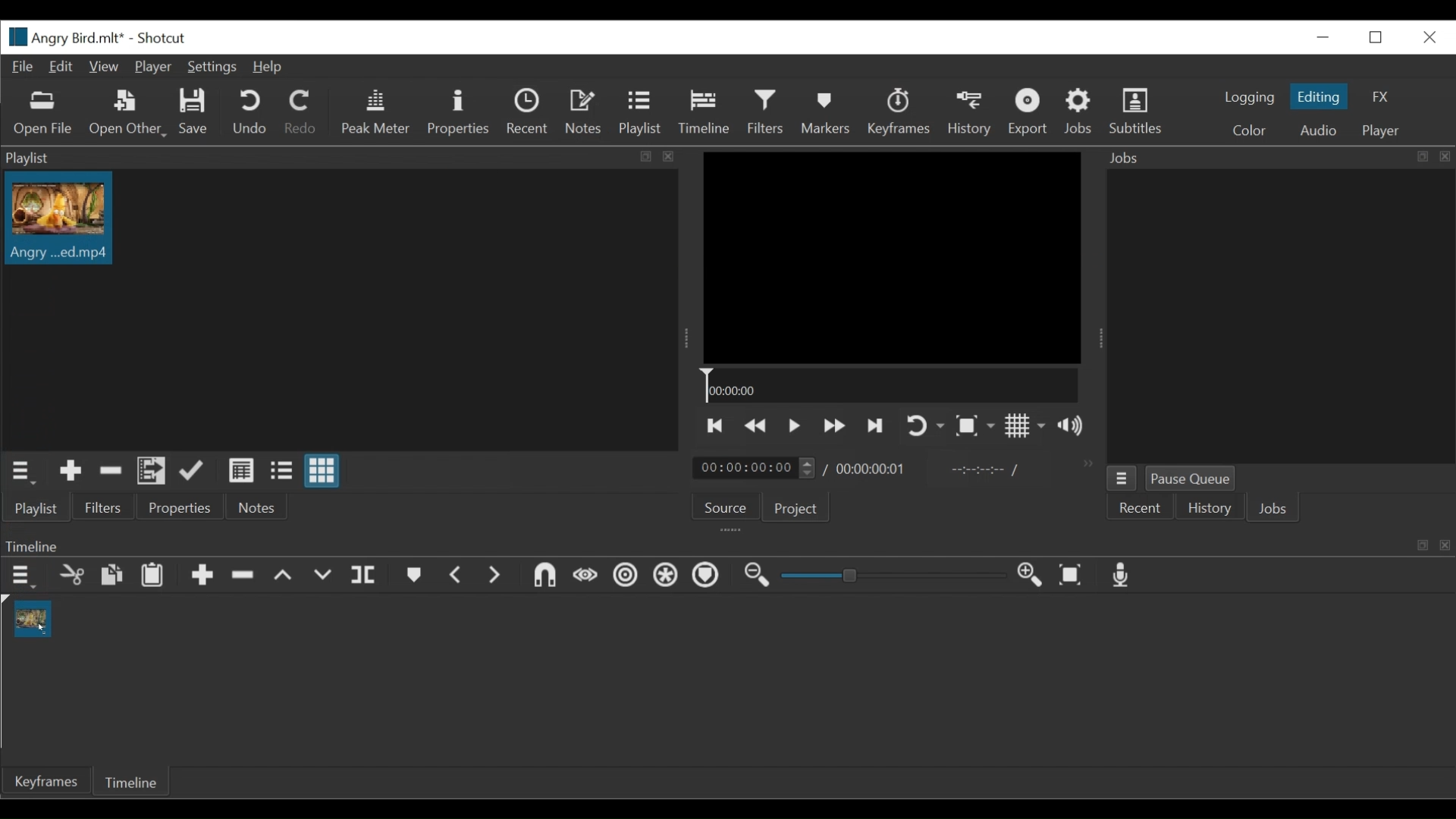  What do you see at coordinates (891, 257) in the screenshot?
I see `Media Viewer` at bounding box center [891, 257].